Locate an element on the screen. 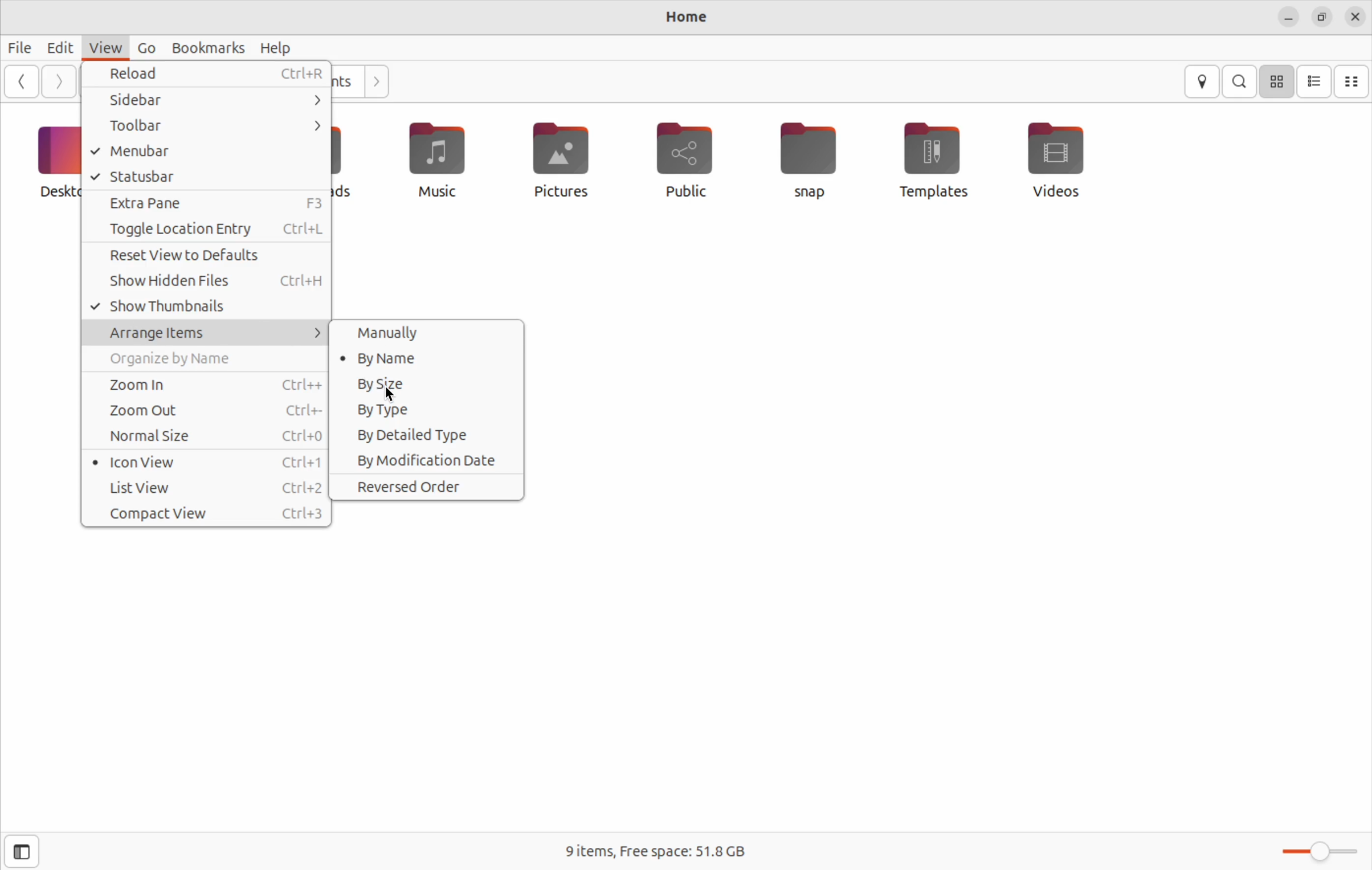 Image resolution: width=1372 pixels, height=870 pixels. view is located at coordinates (103, 47).